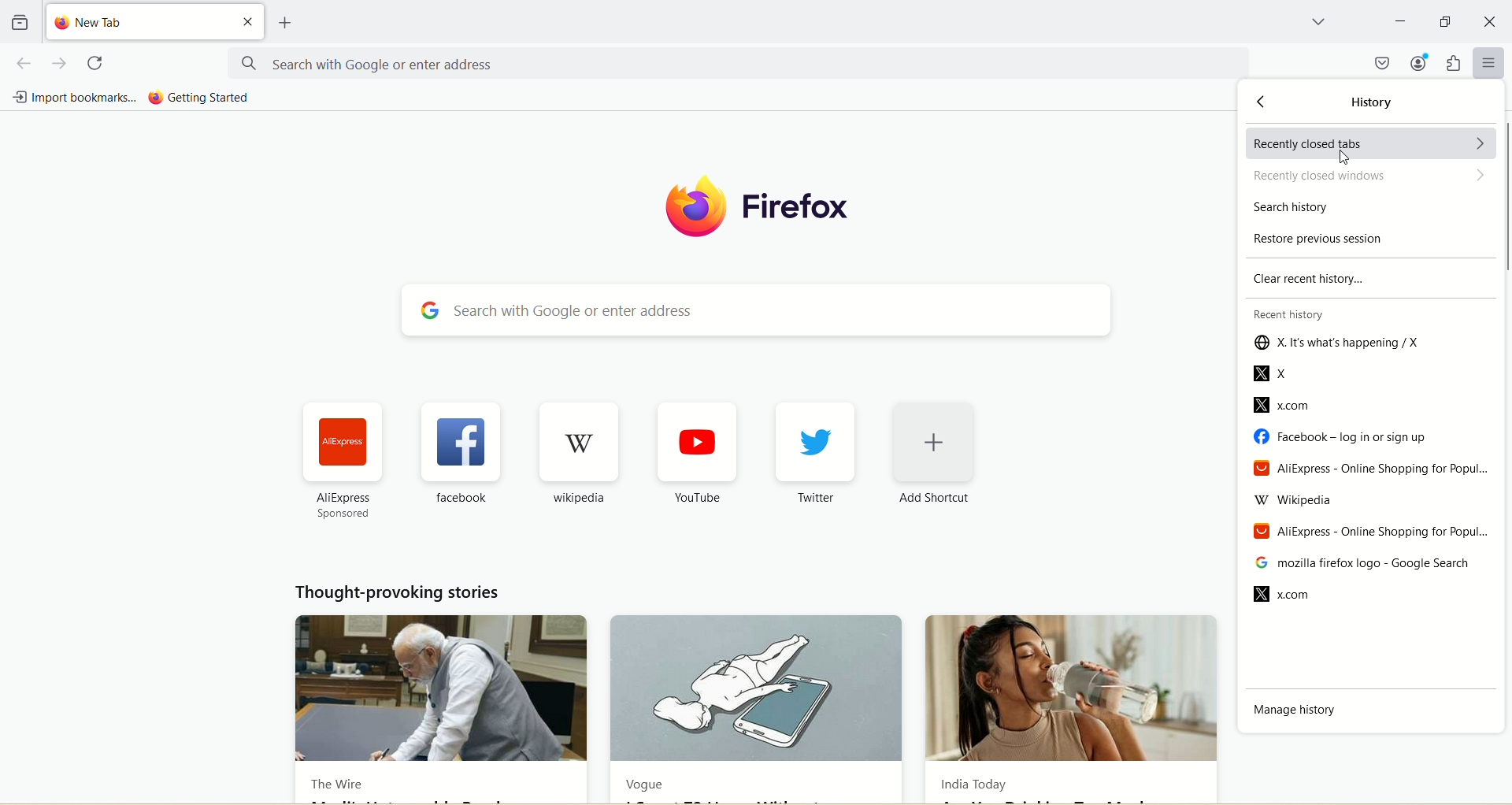 This screenshot has width=1512, height=805. Describe the element at coordinates (1456, 62) in the screenshot. I see `extensions` at that location.